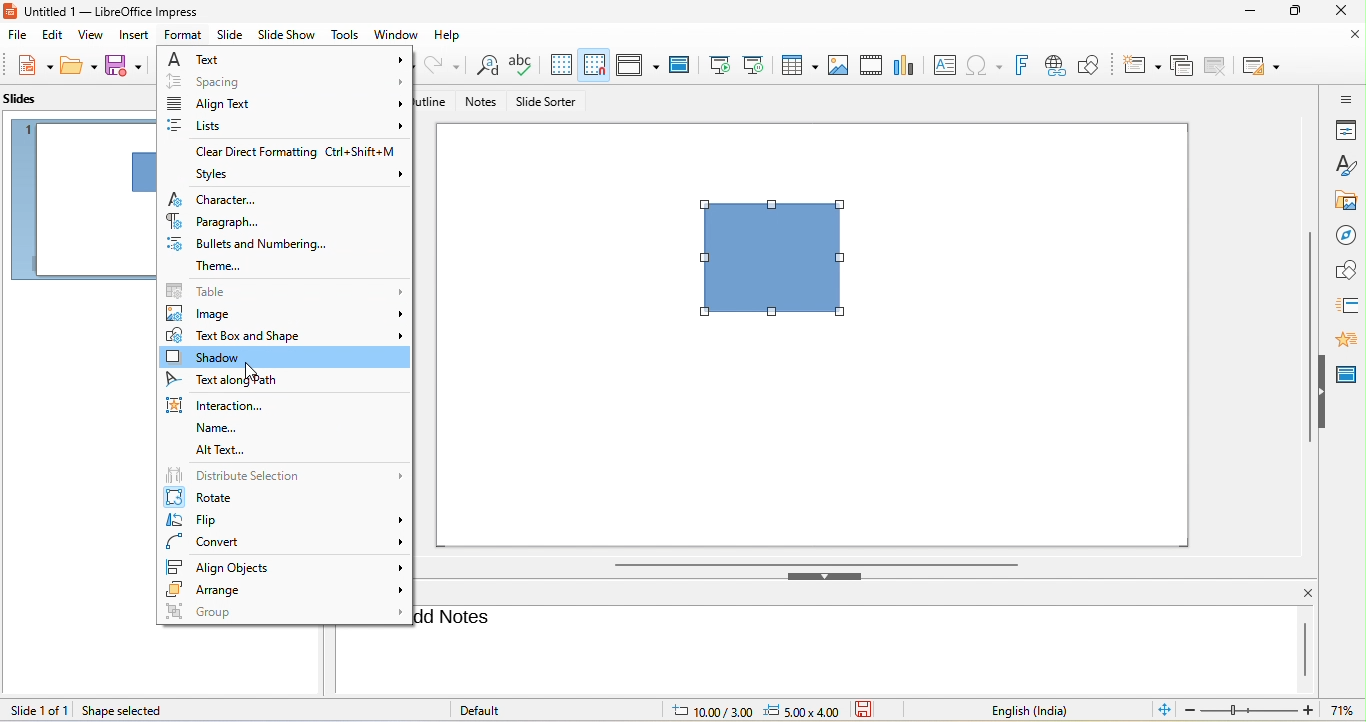 This screenshot has width=1366, height=722. What do you see at coordinates (757, 63) in the screenshot?
I see `start from current slide` at bounding box center [757, 63].